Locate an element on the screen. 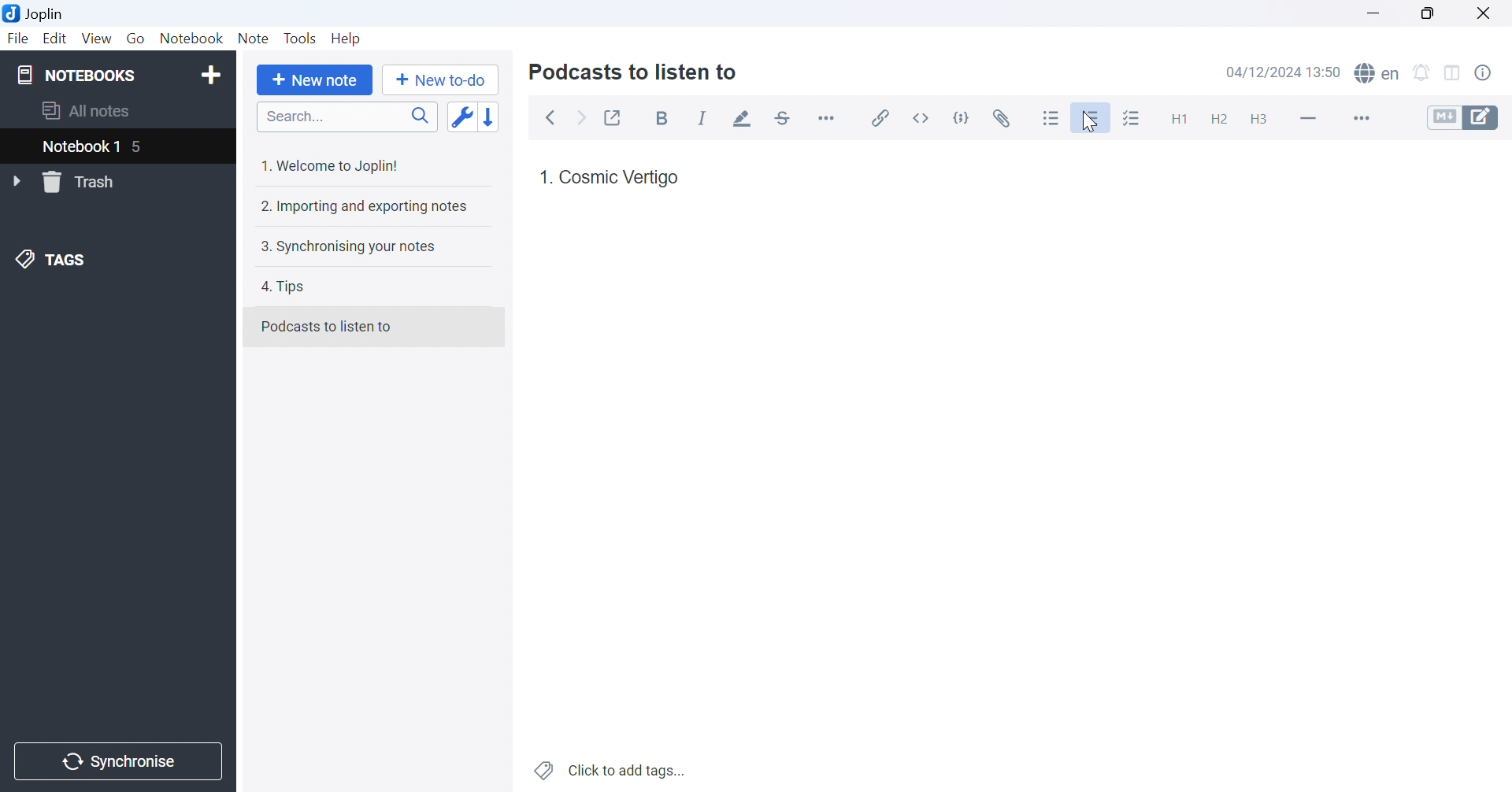  Attach file is located at coordinates (1004, 116).